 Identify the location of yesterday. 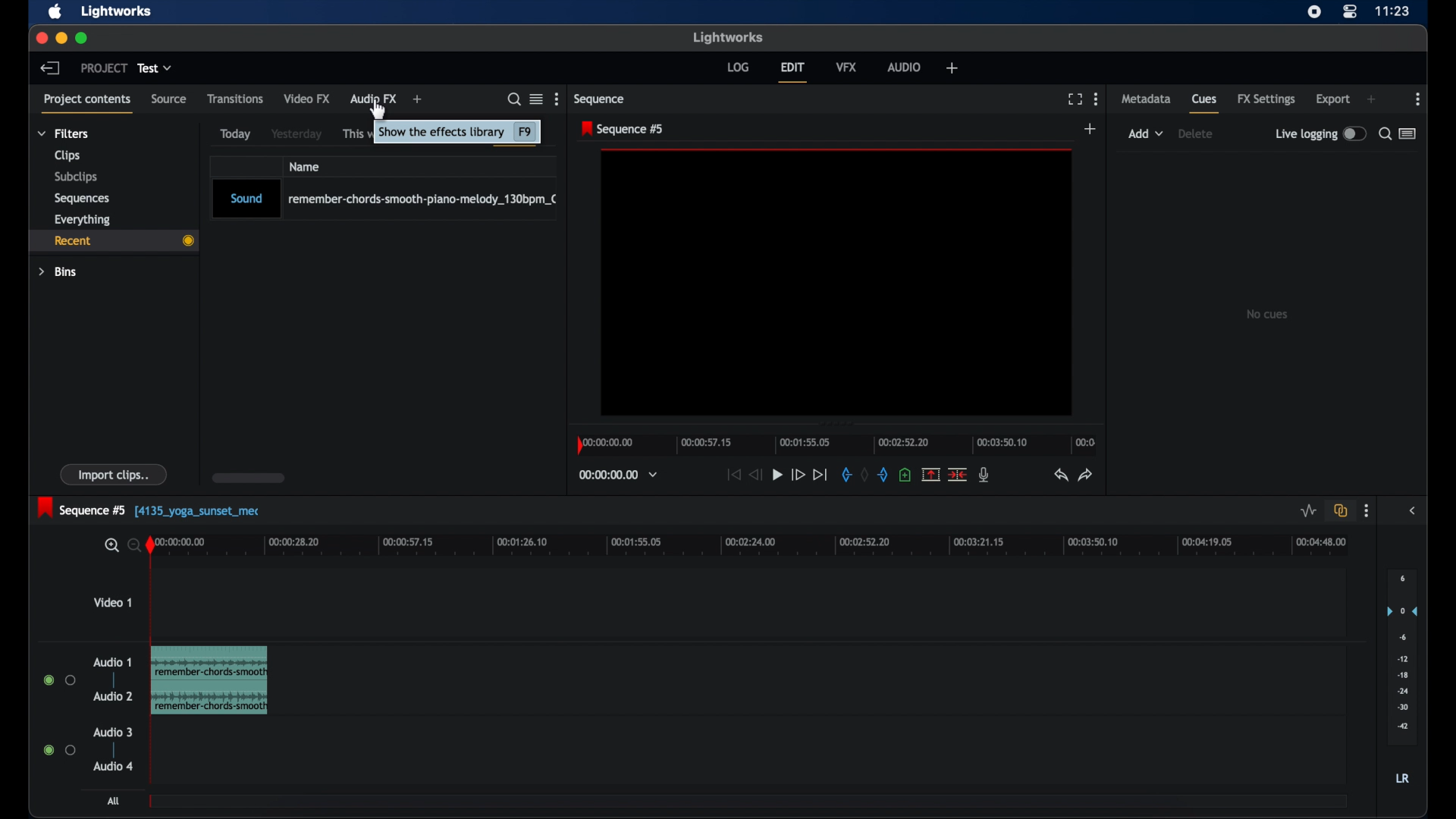
(297, 133).